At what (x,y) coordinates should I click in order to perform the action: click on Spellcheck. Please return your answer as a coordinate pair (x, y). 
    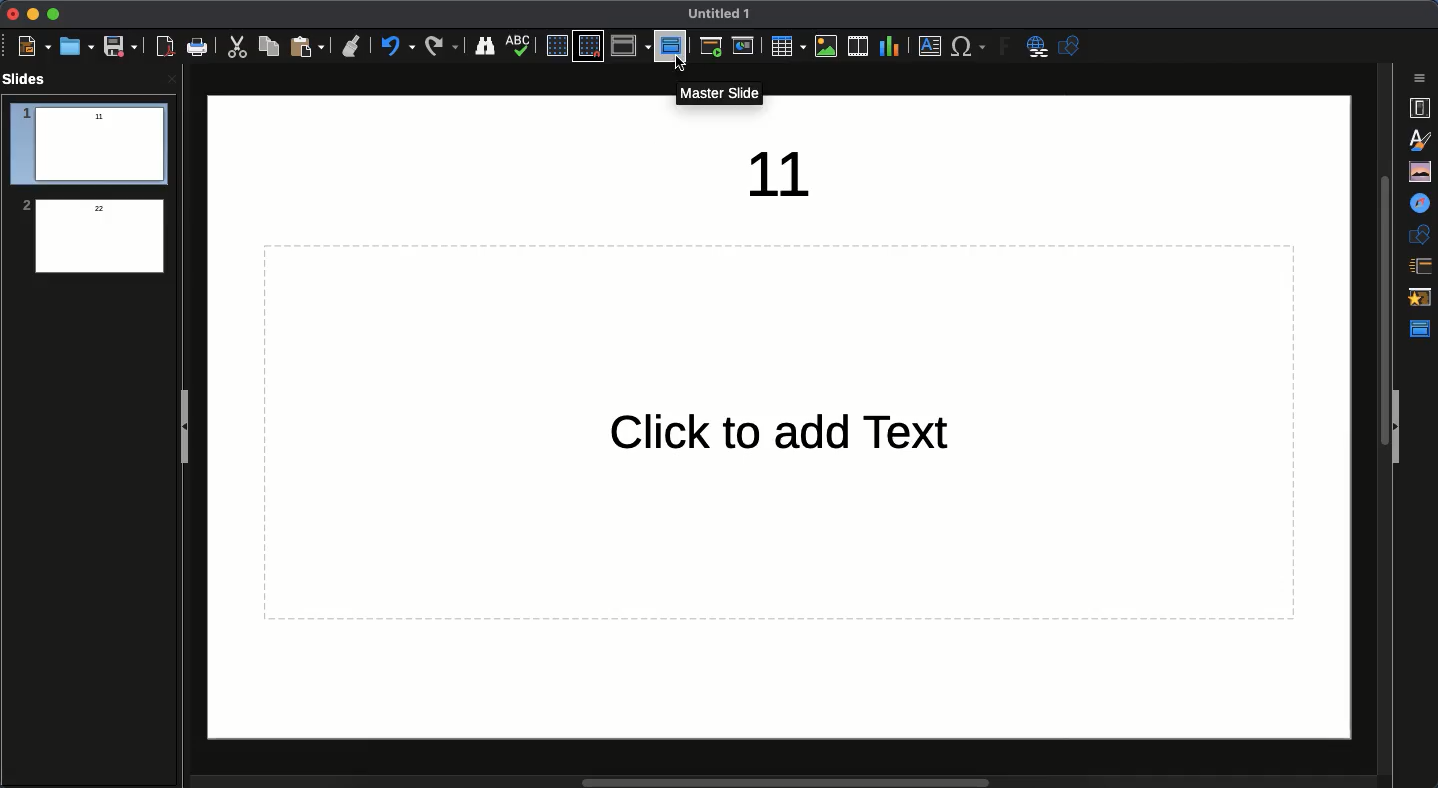
    Looking at the image, I should click on (519, 44).